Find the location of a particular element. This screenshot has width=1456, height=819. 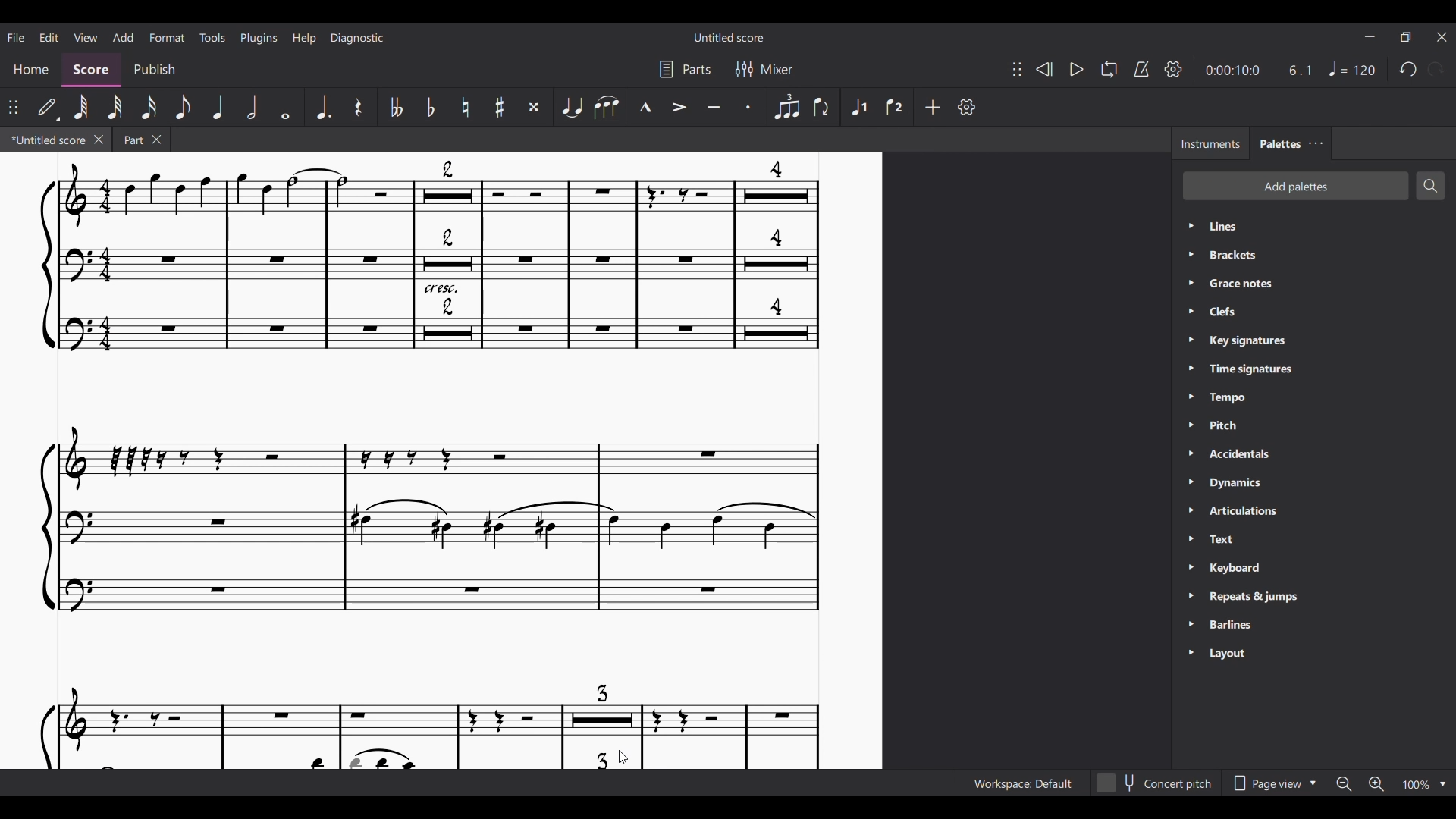

Staccato is located at coordinates (750, 108).